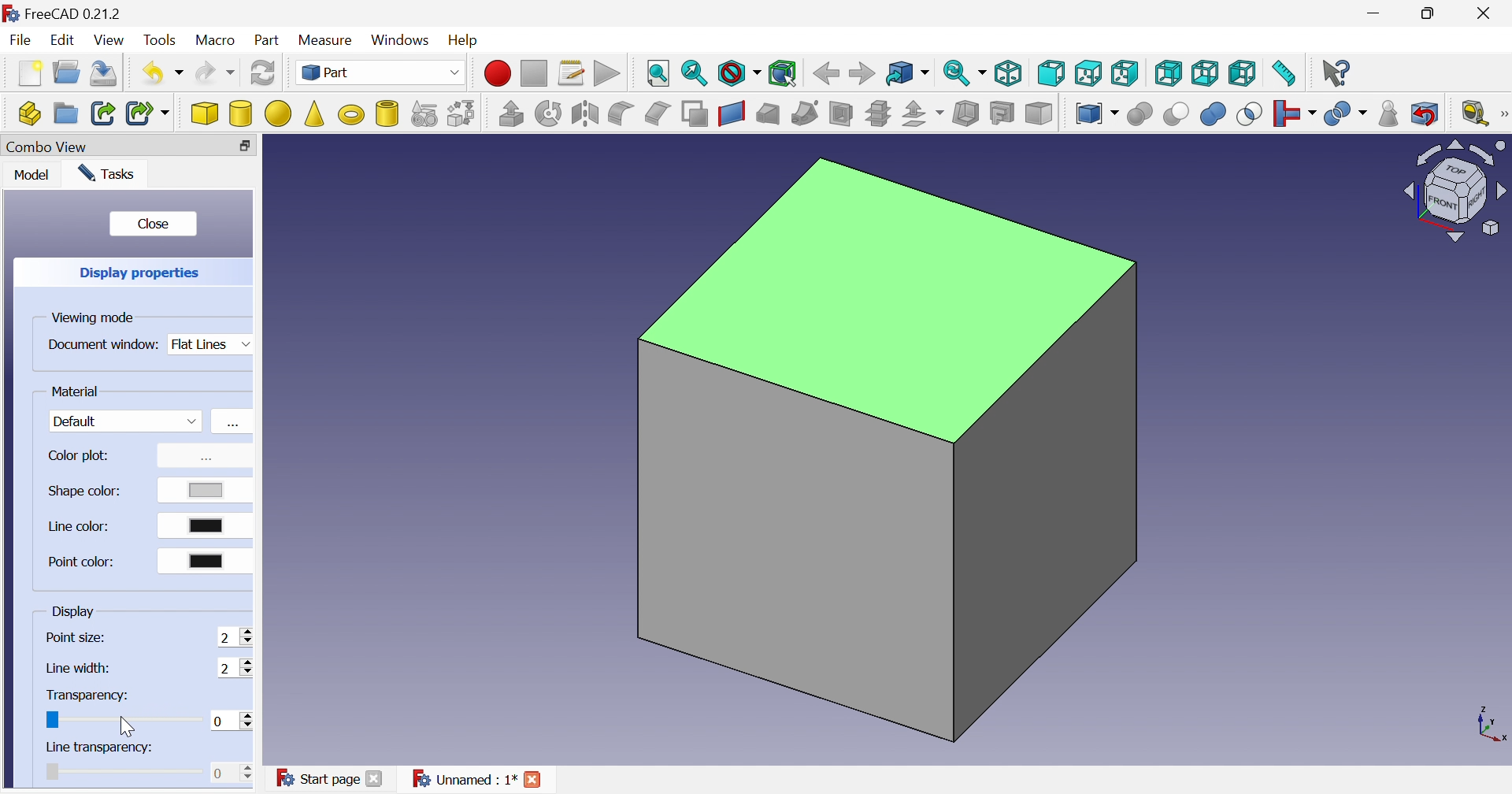  What do you see at coordinates (145, 272) in the screenshot?
I see `Display properties` at bounding box center [145, 272].